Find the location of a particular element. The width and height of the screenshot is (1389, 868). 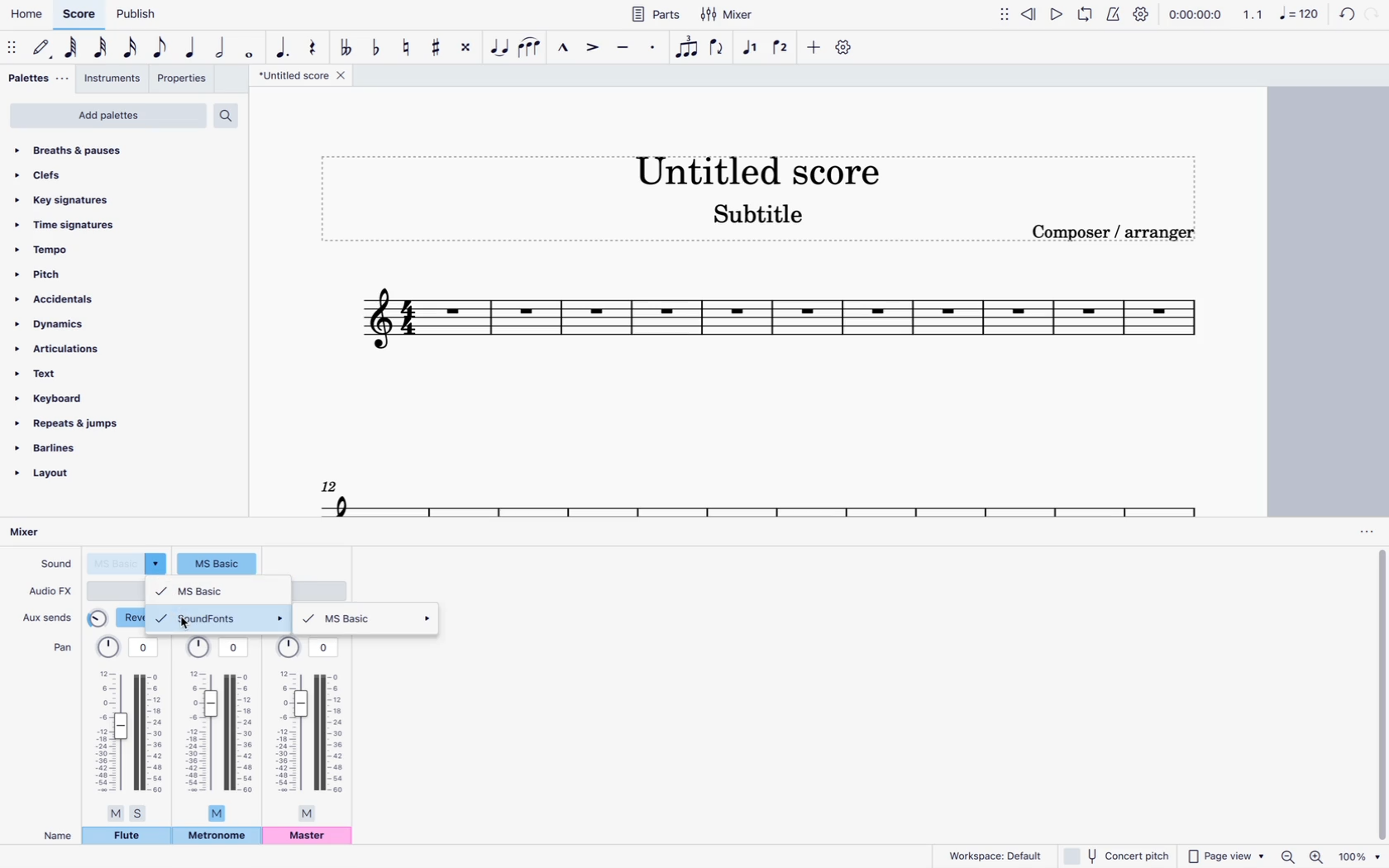

pan is located at coordinates (129, 728).